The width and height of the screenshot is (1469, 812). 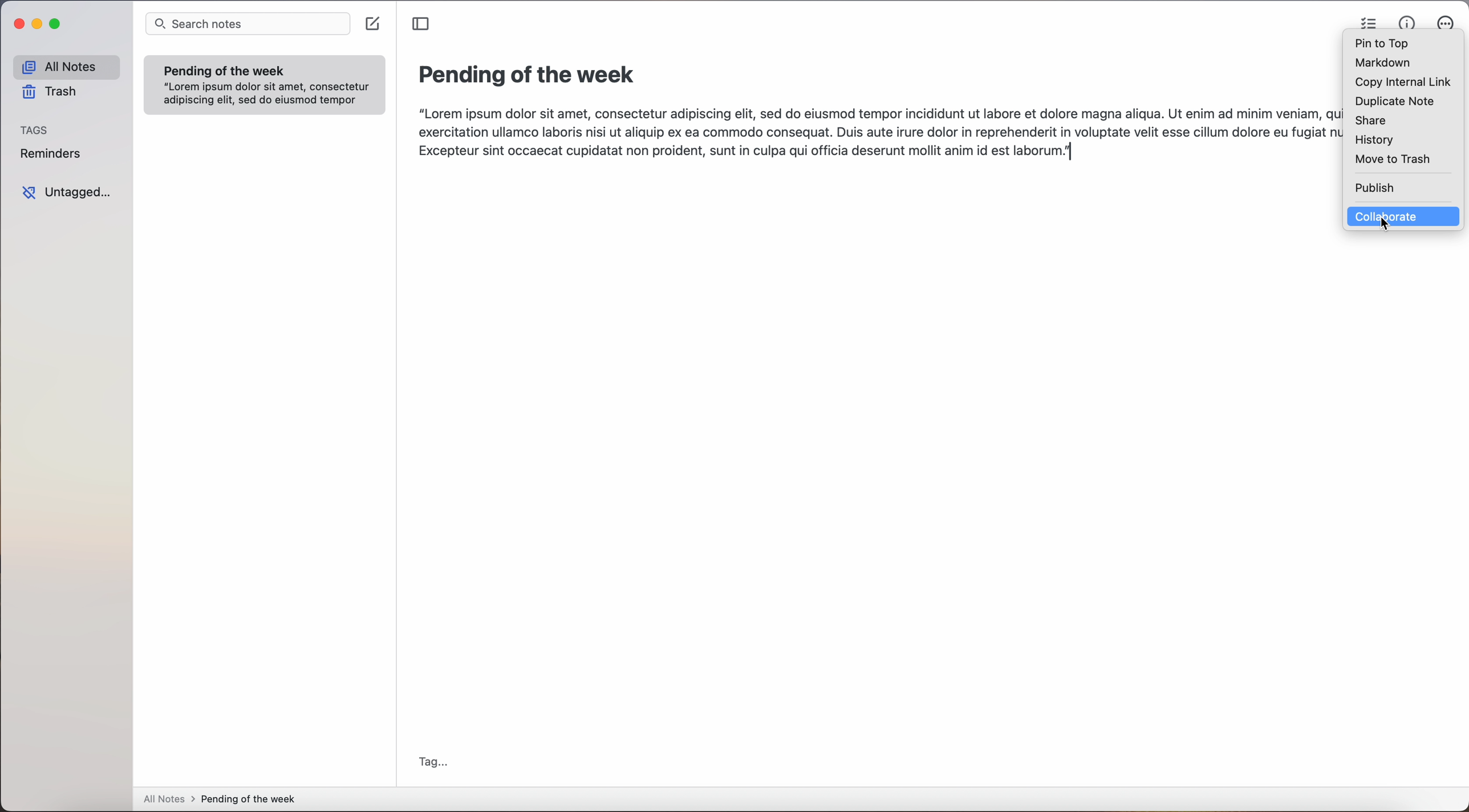 I want to click on note, so click(x=265, y=84).